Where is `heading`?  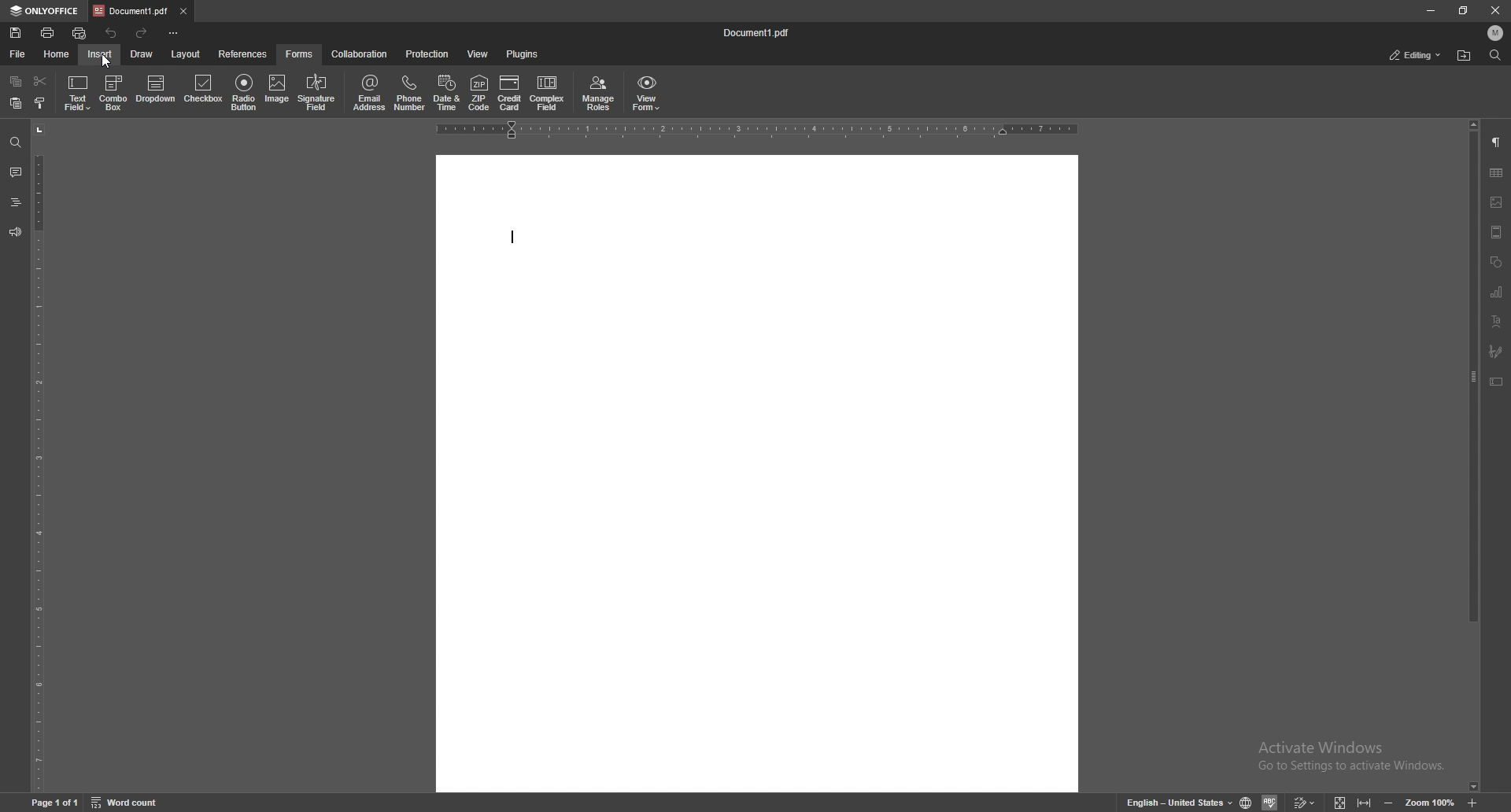
heading is located at coordinates (15, 202).